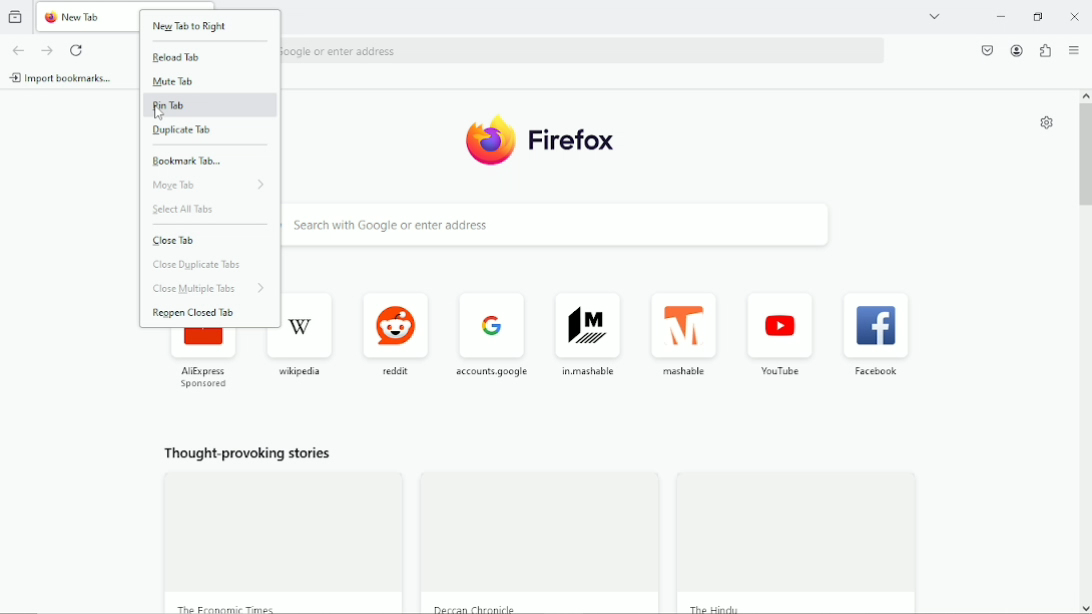 The height and width of the screenshot is (614, 1092). I want to click on open application menu, so click(1074, 51).